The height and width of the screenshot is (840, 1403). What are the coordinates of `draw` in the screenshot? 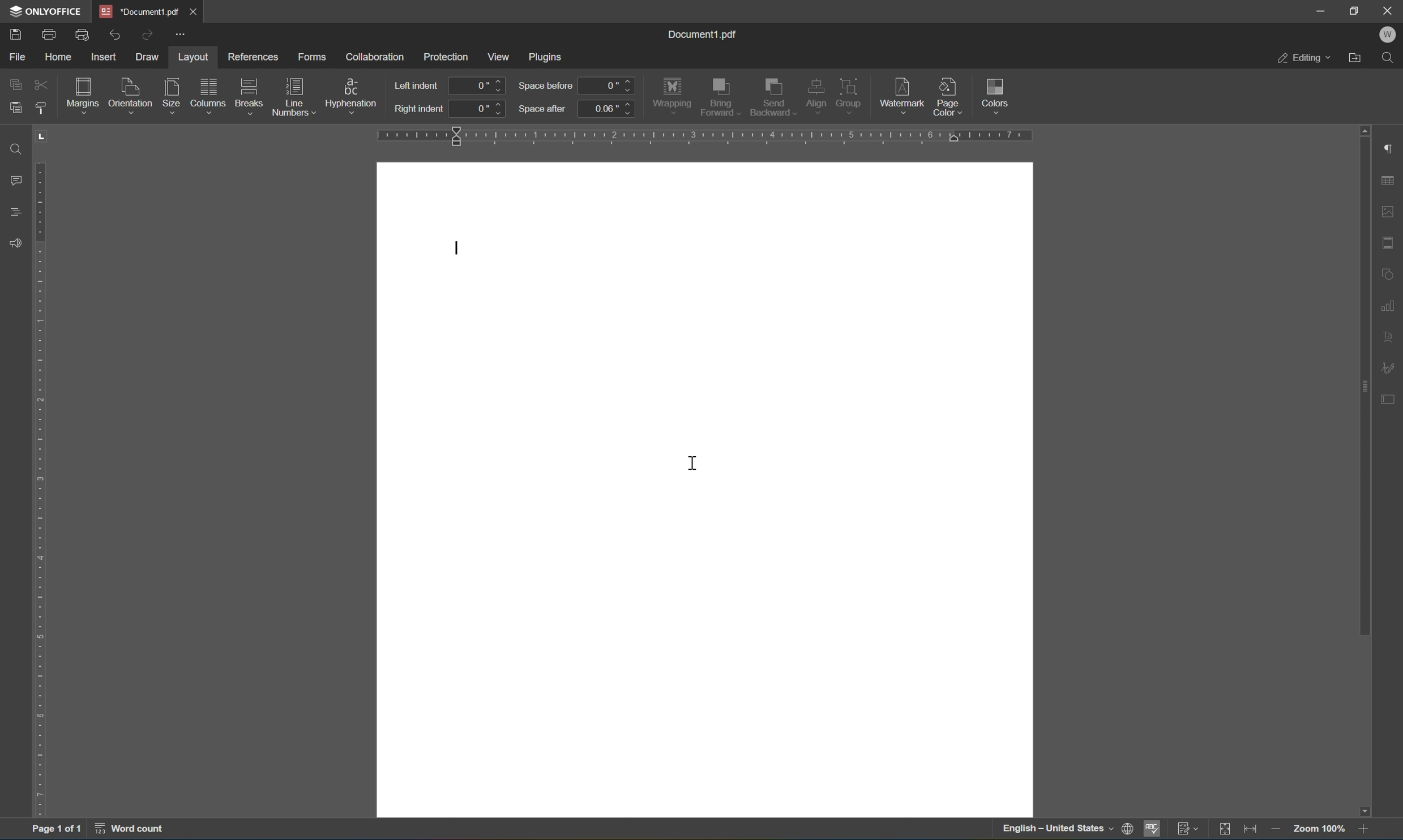 It's located at (150, 57).